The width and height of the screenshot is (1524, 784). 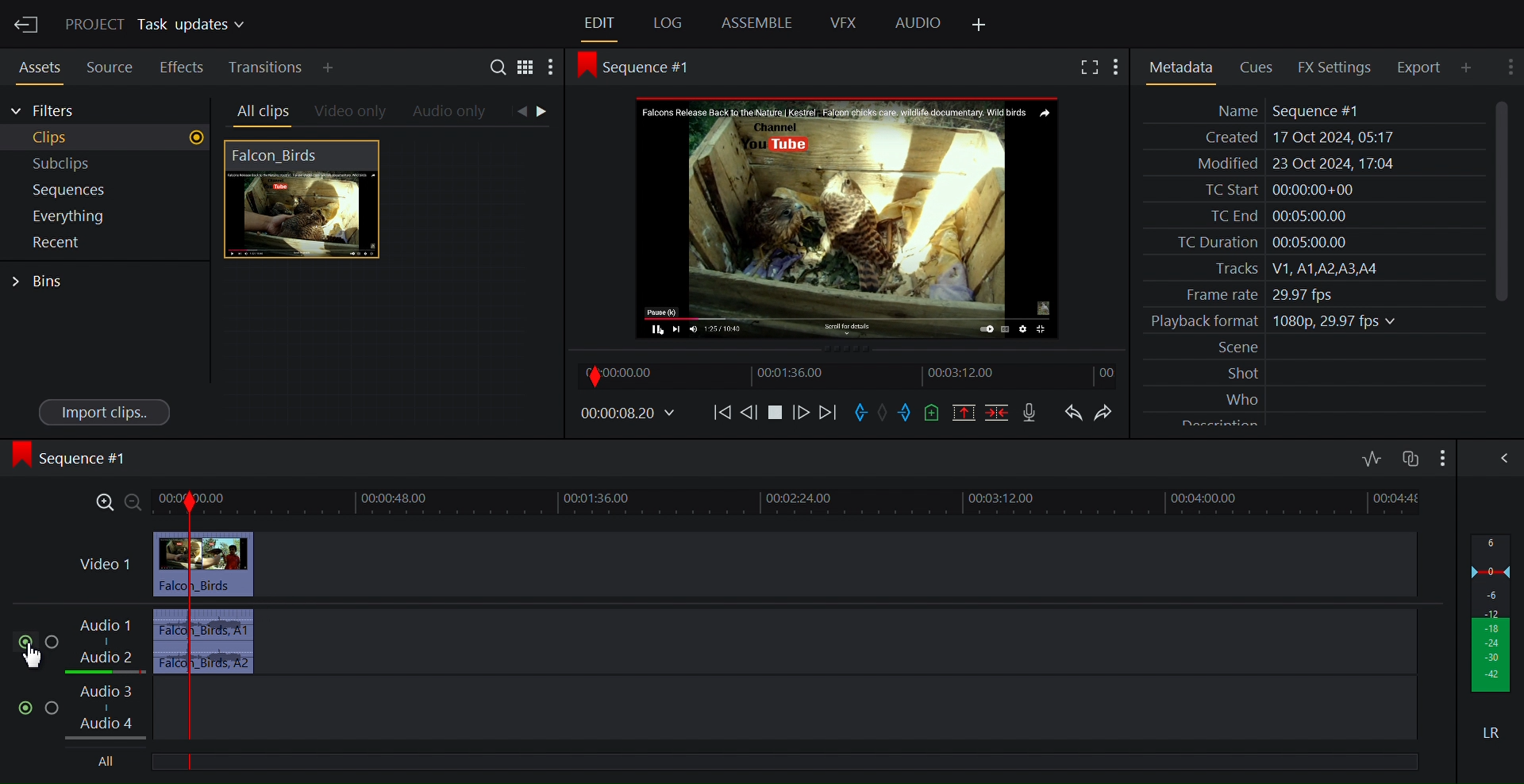 What do you see at coordinates (1340, 67) in the screenshot?
I see `FX Settings` at bounding box center [1340, 67].